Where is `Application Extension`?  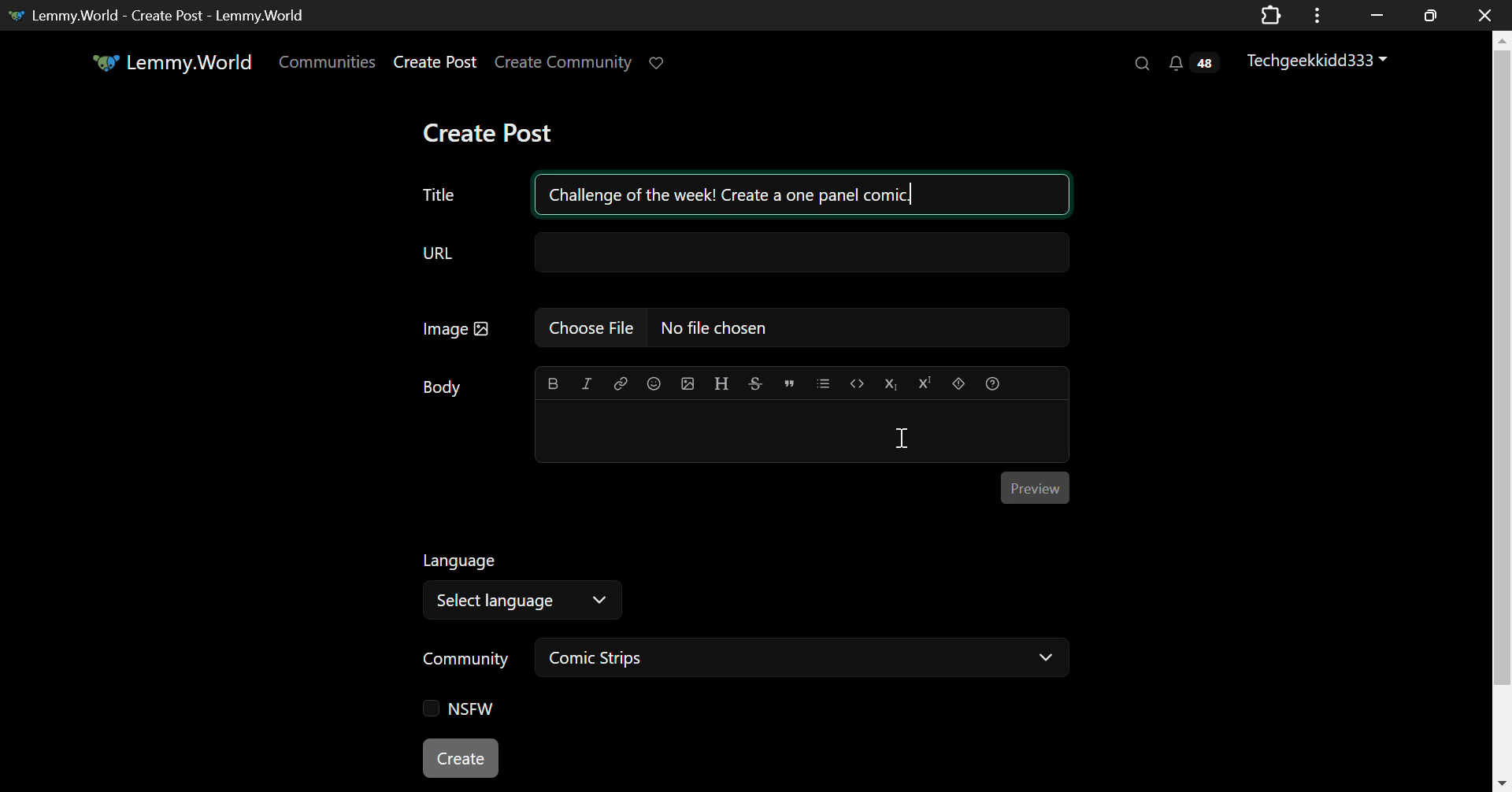 Application Extension is located at coordinates (1274, 13).